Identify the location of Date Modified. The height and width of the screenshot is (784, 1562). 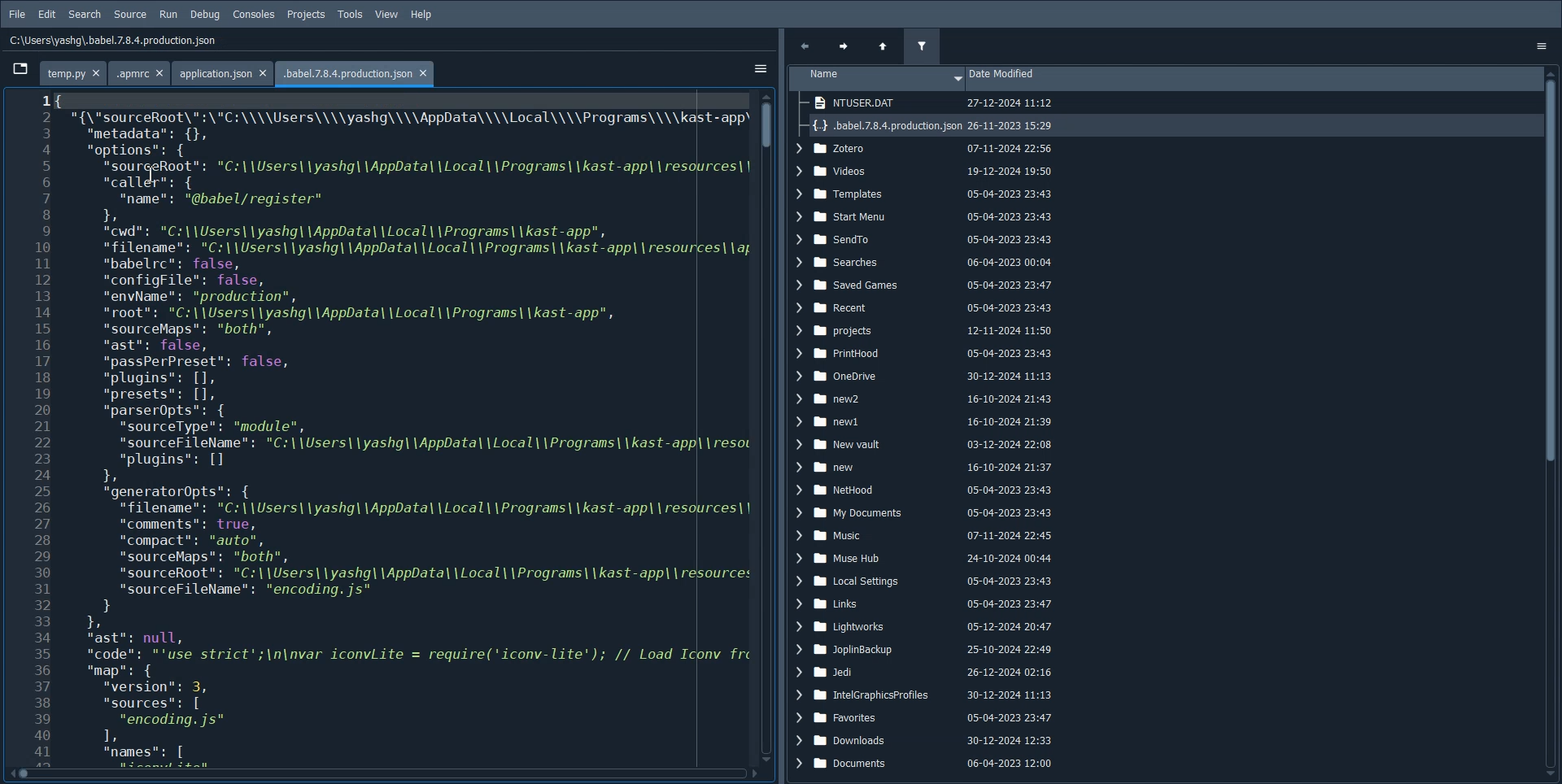
(1252, 79).